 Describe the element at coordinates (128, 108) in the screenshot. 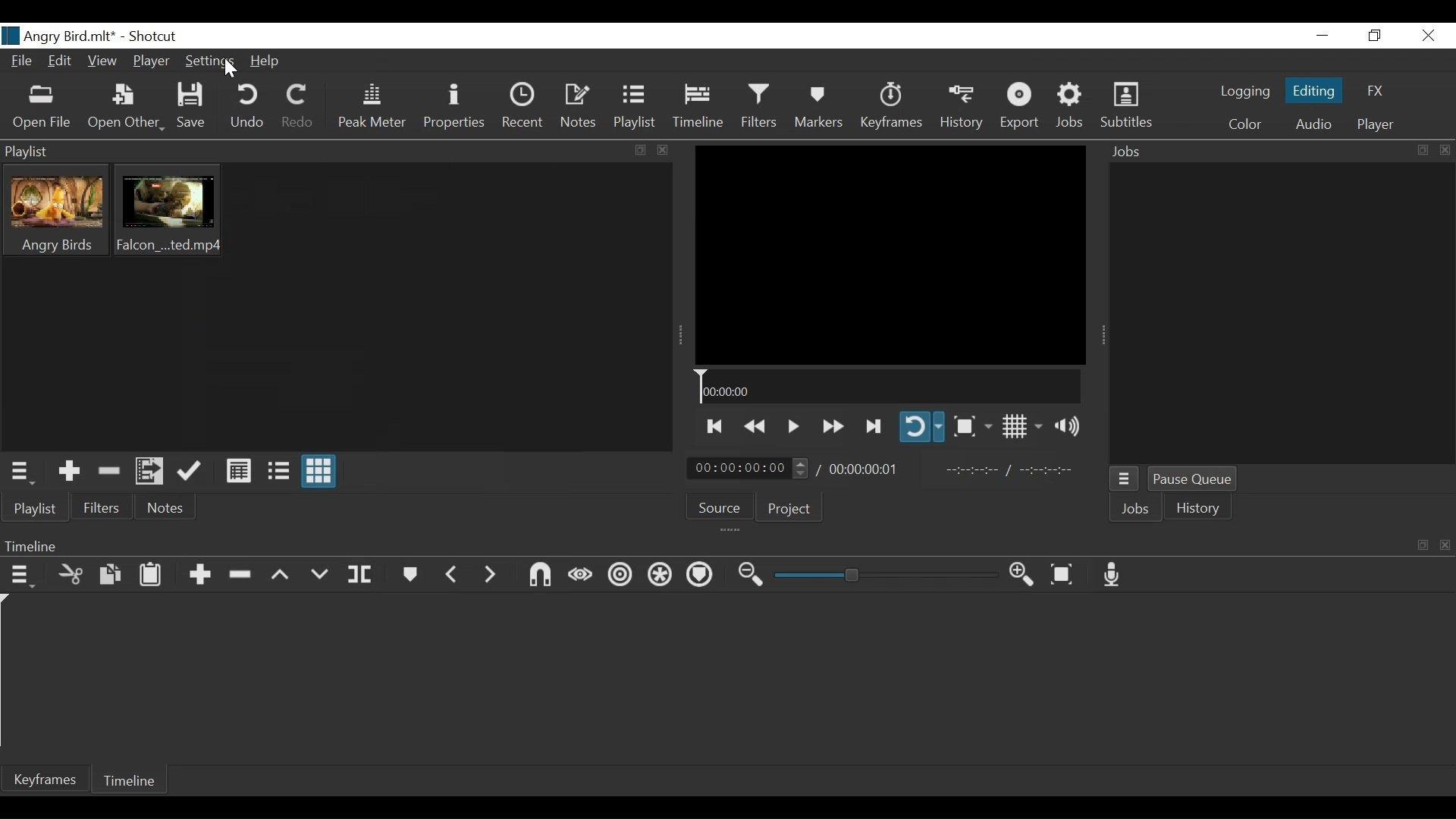

I see `Open Other` at that location.